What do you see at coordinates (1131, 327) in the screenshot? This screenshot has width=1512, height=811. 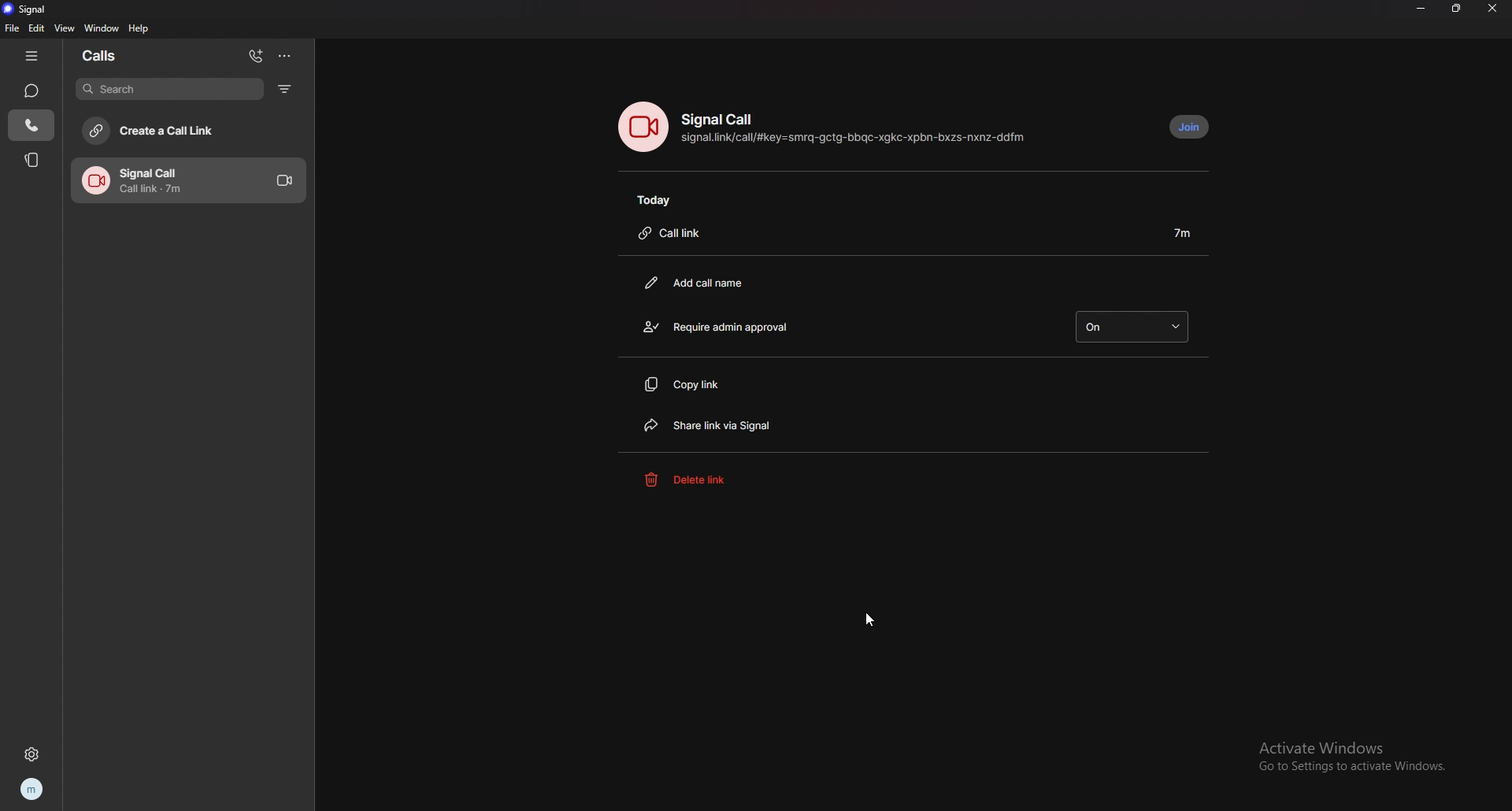 I see `on` at bounding box center [1131, 327].